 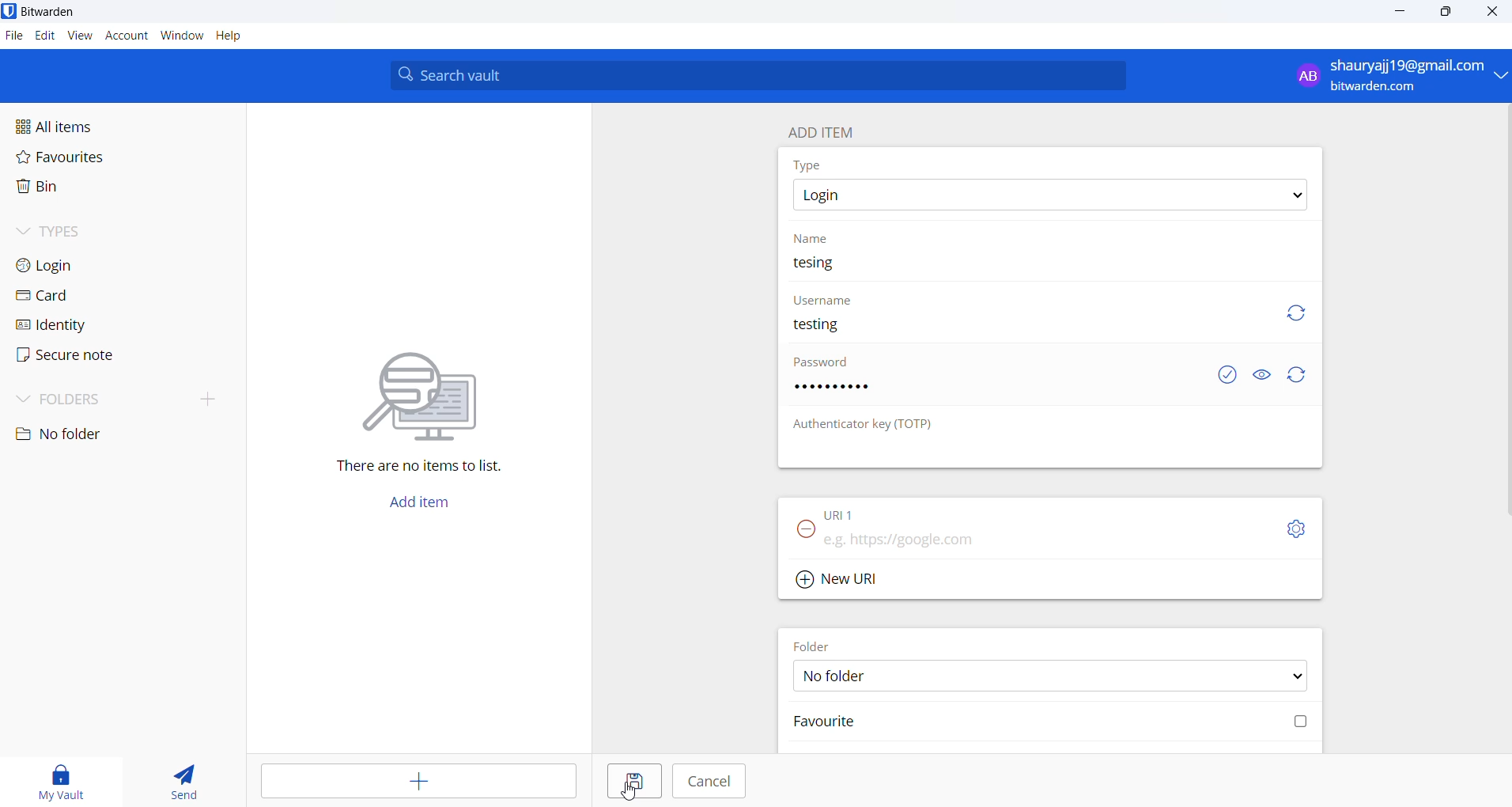 I want to click on types, so click(x=98, y=237).